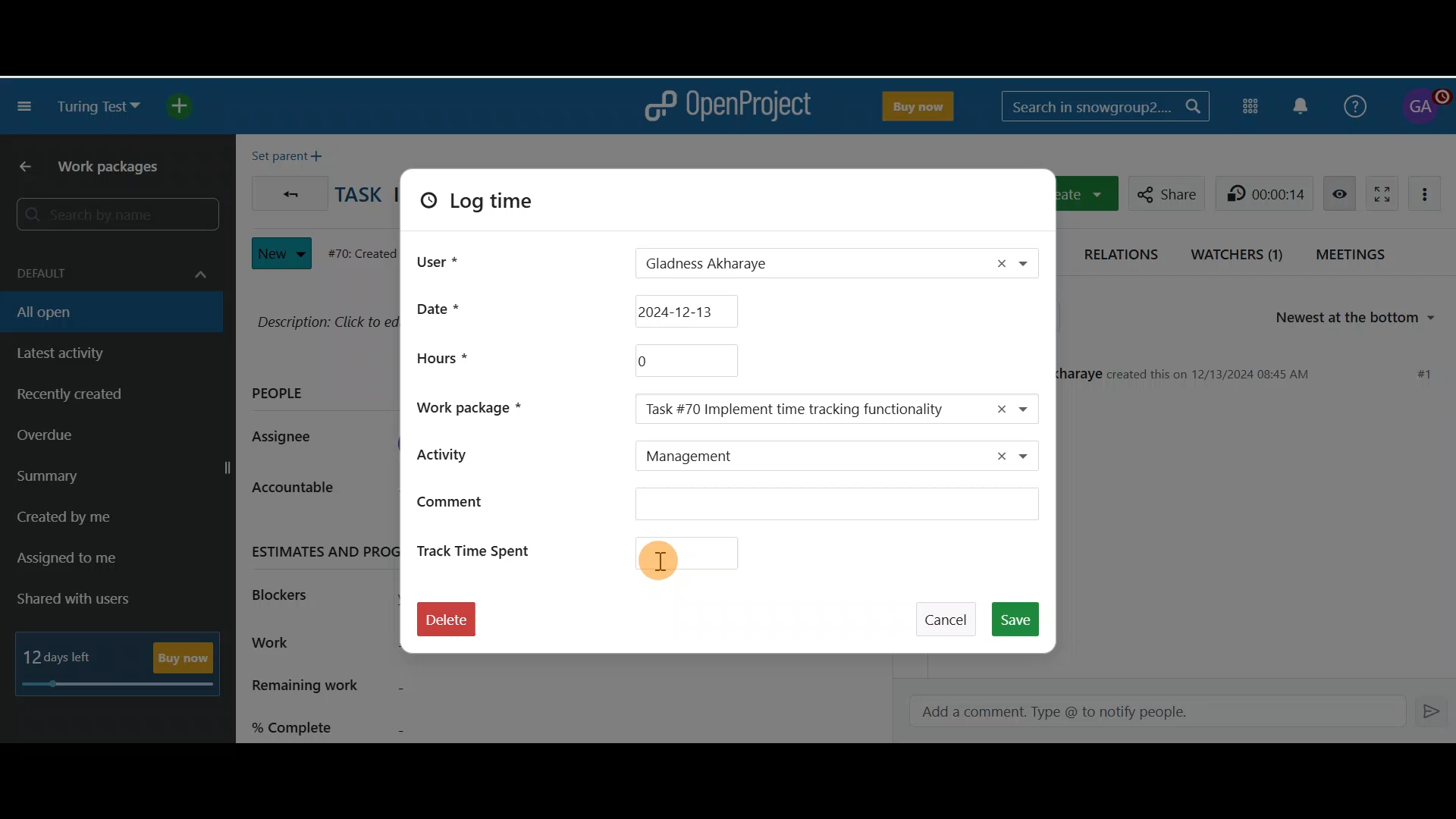 The image size is (1456, 819). Describe the element at coordinates (441, 357) in the screenshot. I see `Hours` at that location.